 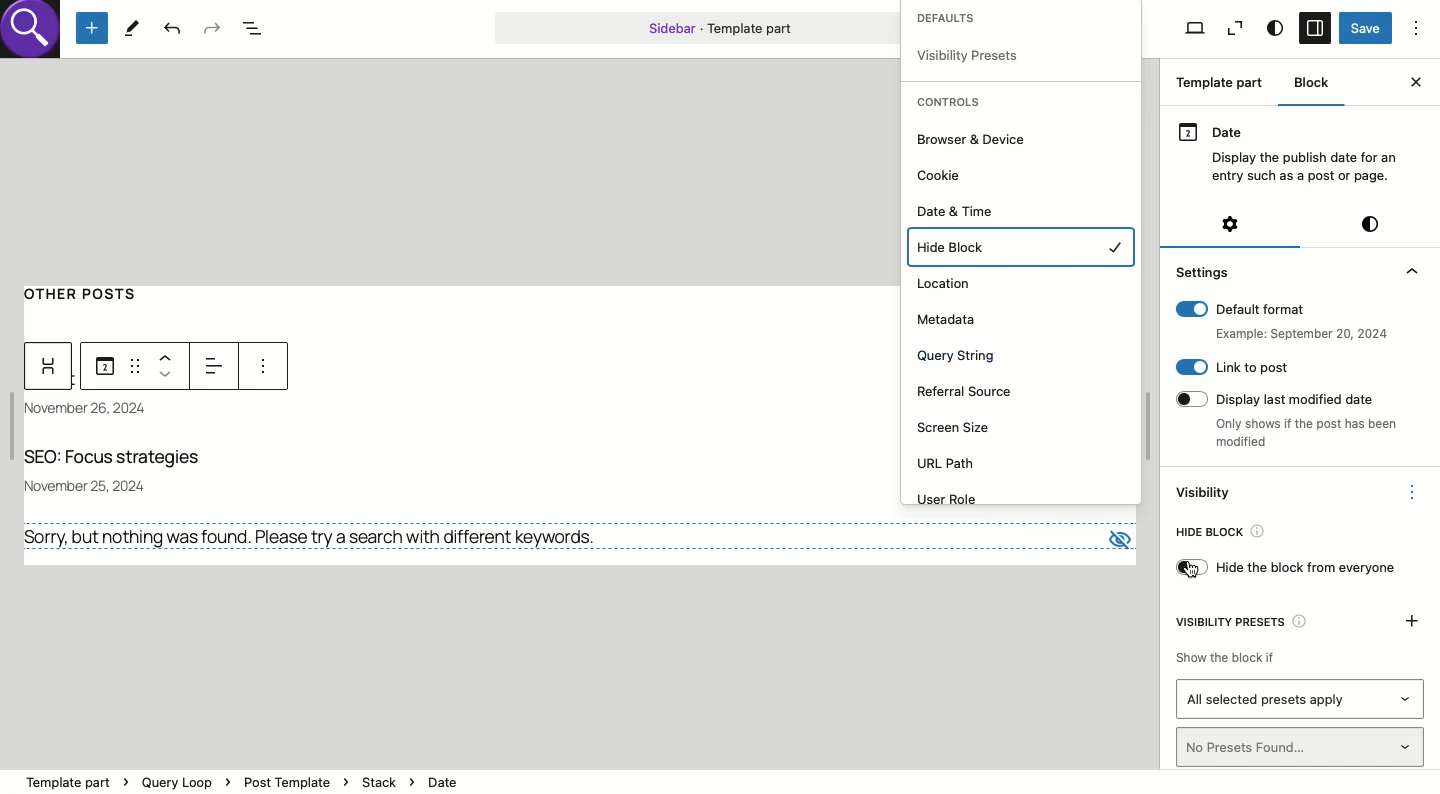 What do you see at coordinates (261, 368) in the screenshot?
I see `more options` at bounding box center [261, 368].